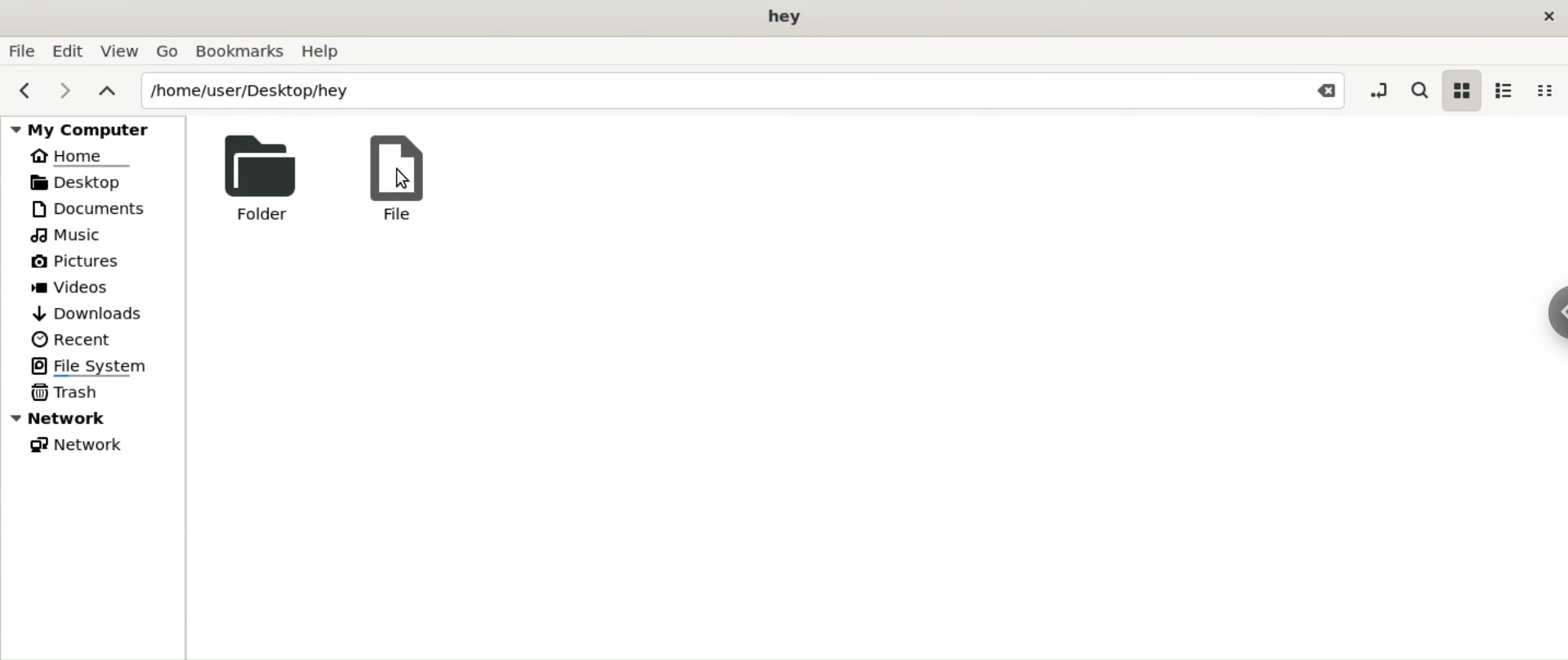 This screenshot has height=660, width=1568. Describe the element at coordinates (1546, 91) in the screenshot. I see `compact view` at that location.